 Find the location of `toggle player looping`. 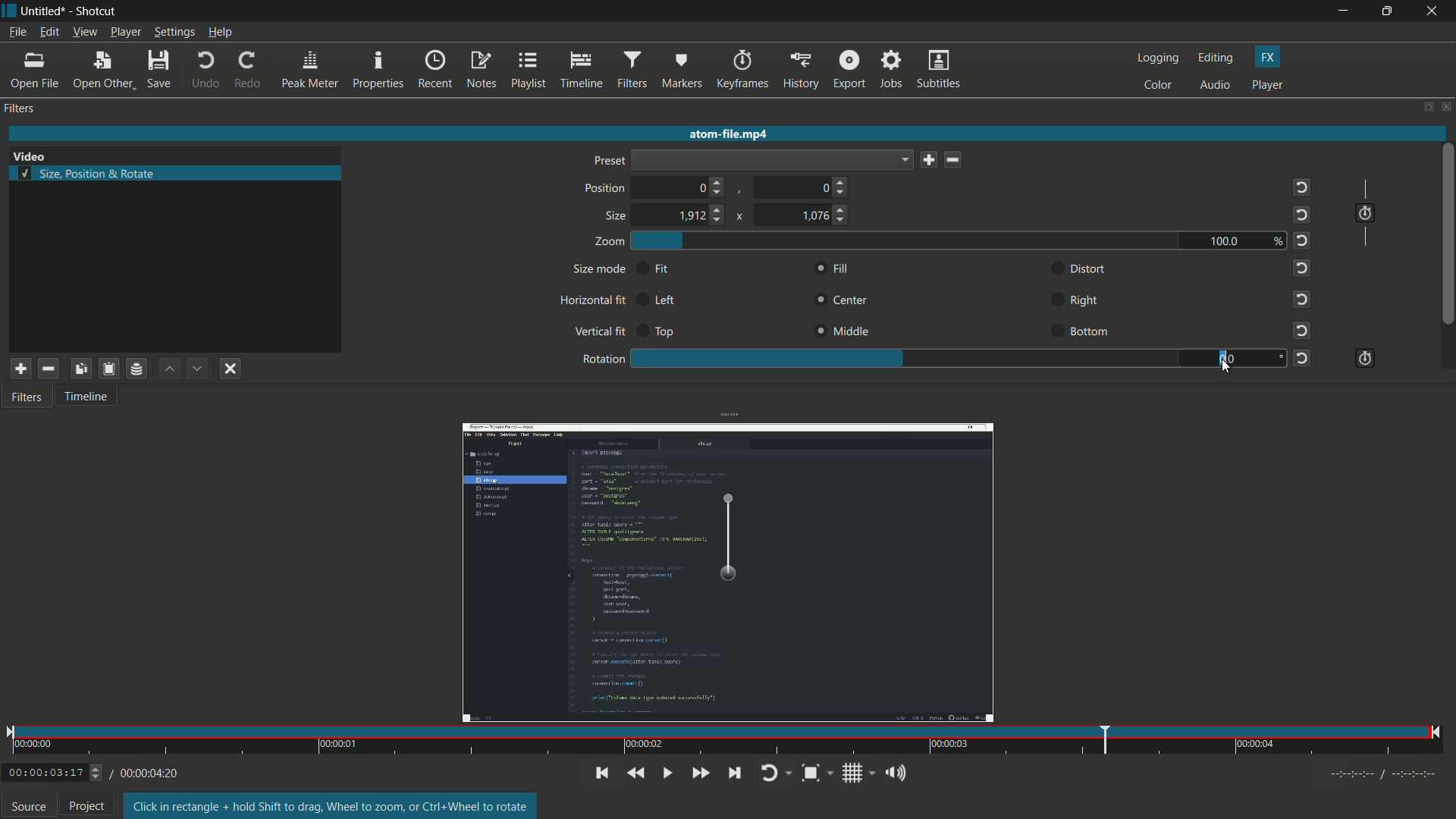

toggle player looping is located at coordinates (774, 773).